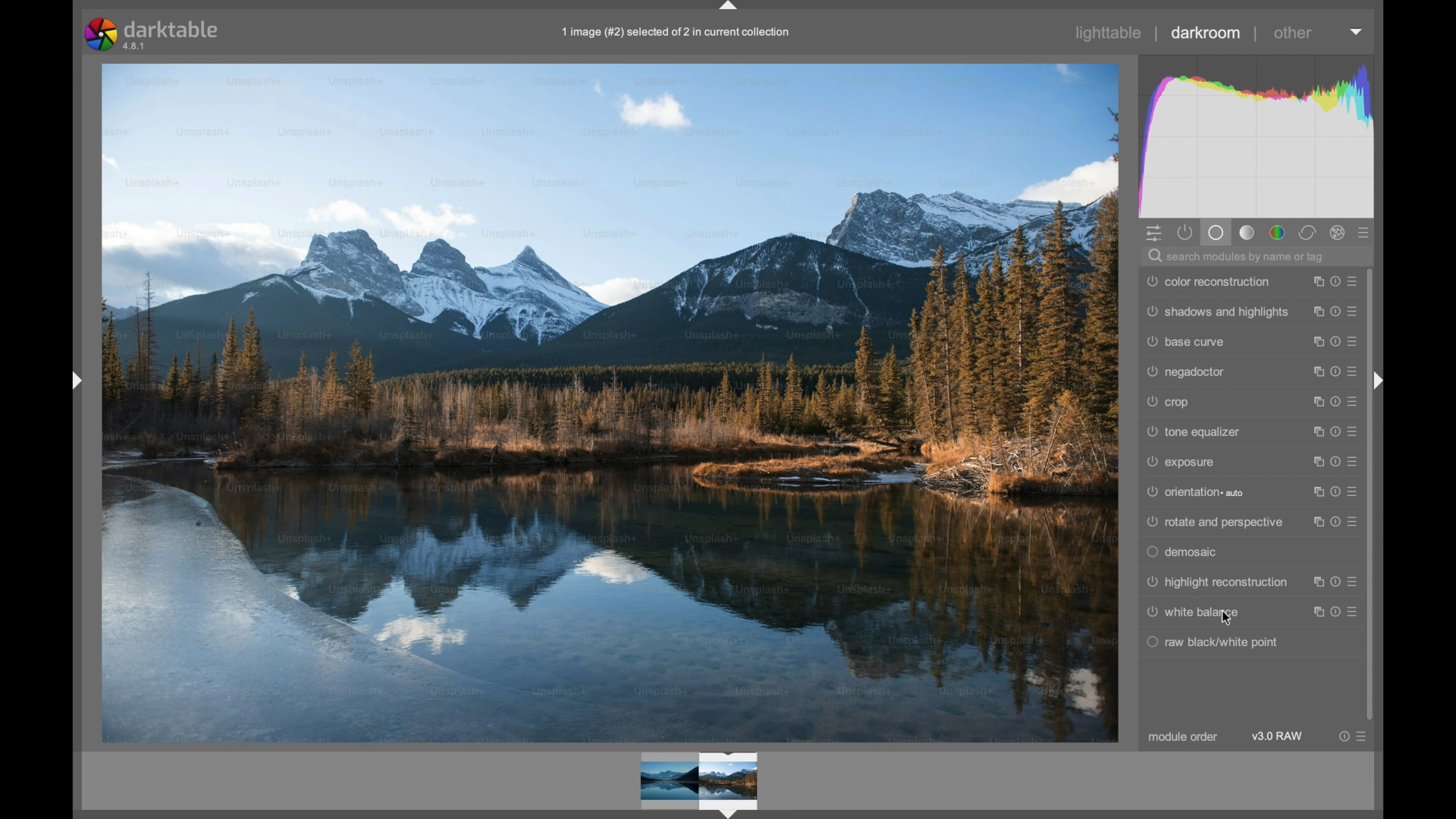 This screenshot has width=1456, height=819. What do you see at coordinates (155, 34) in the screenshot?
I see `darktable 4.8.1` at bounding box center [155, 34].